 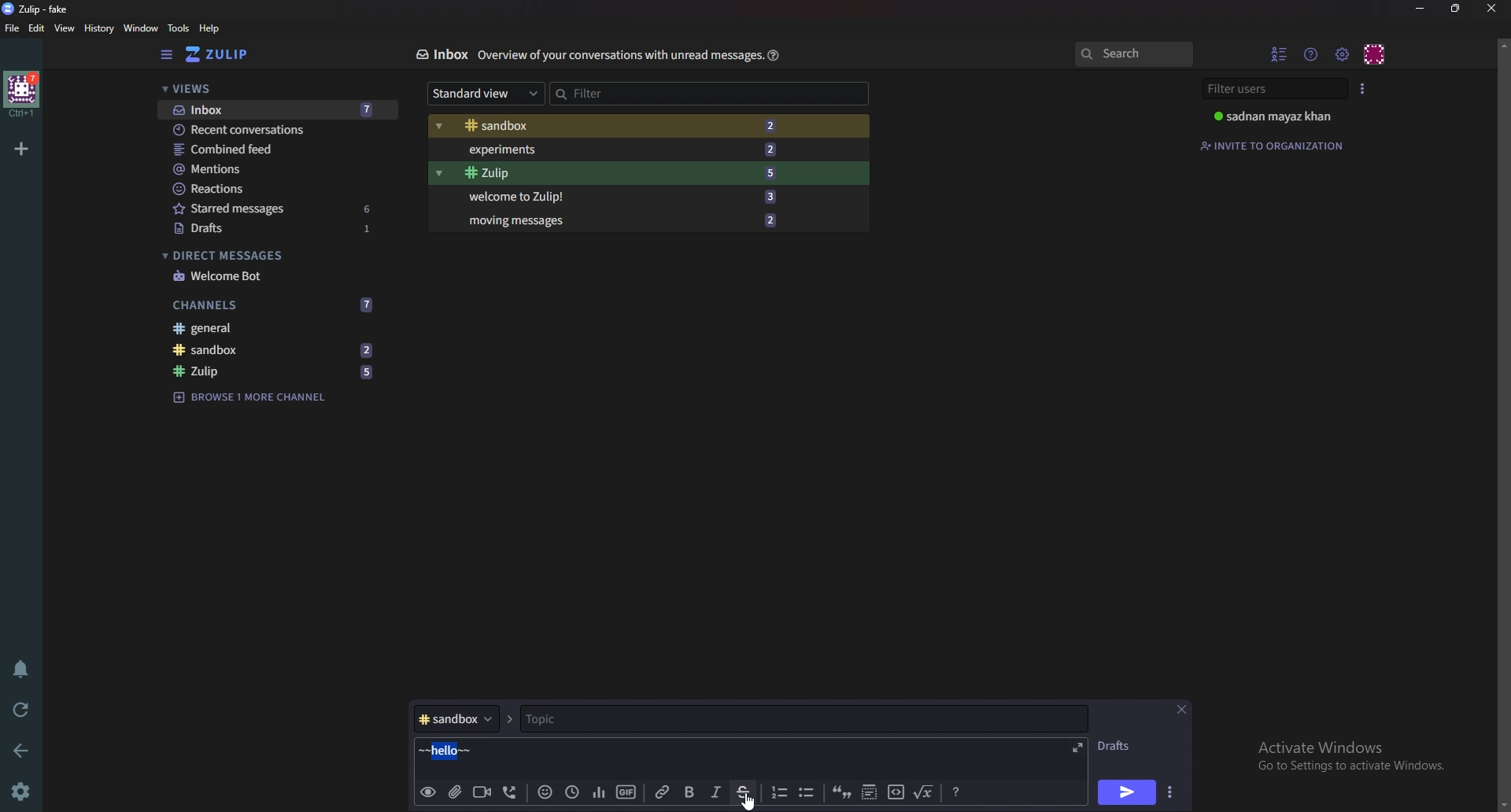 What do you see at coordinates (1343, 54) in the screenshot?
I see `Main menu` at bounding box center [1343, 54].